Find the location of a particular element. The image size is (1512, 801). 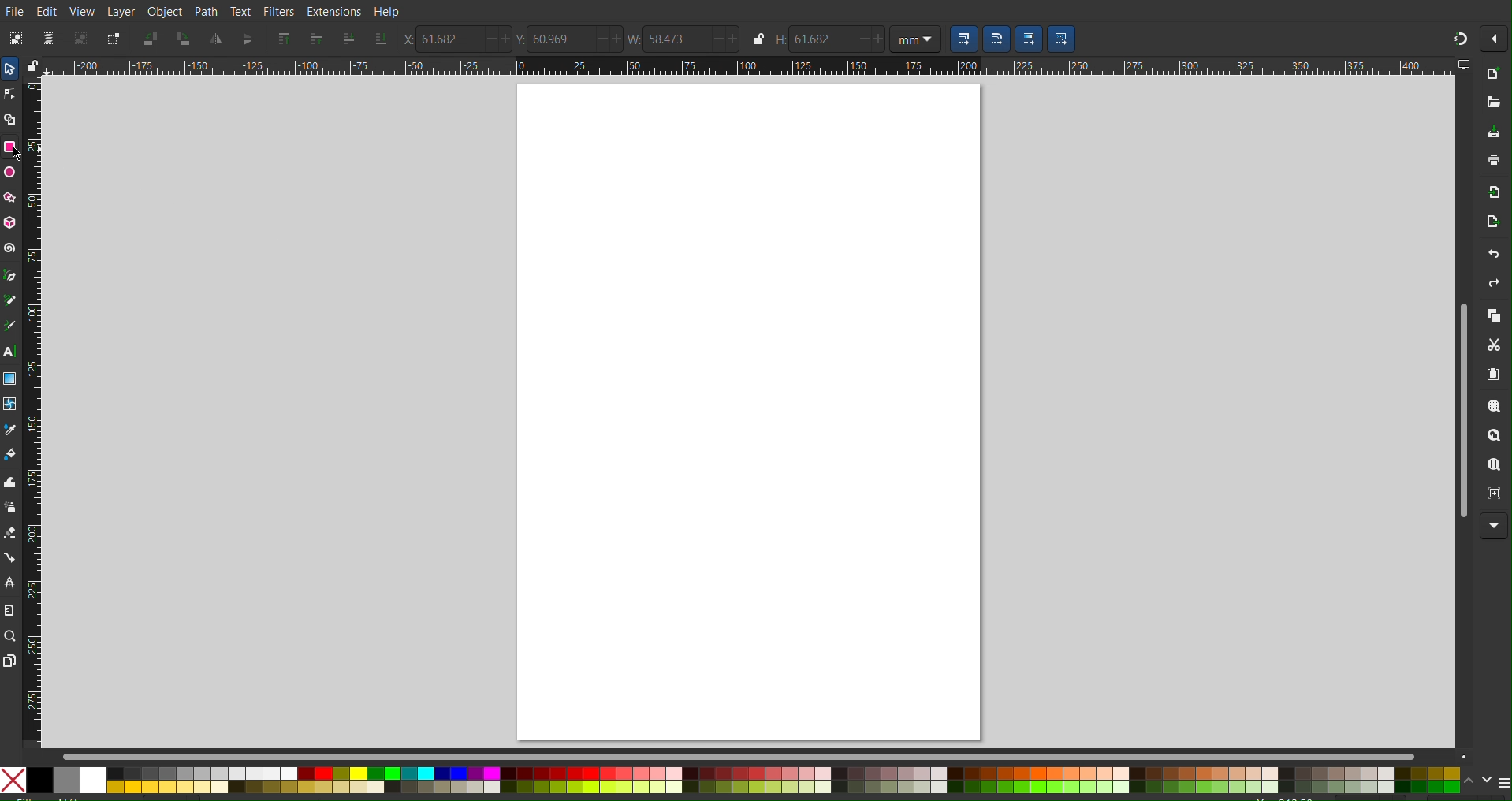

Spray Tool is located at coordinates (9, 510).